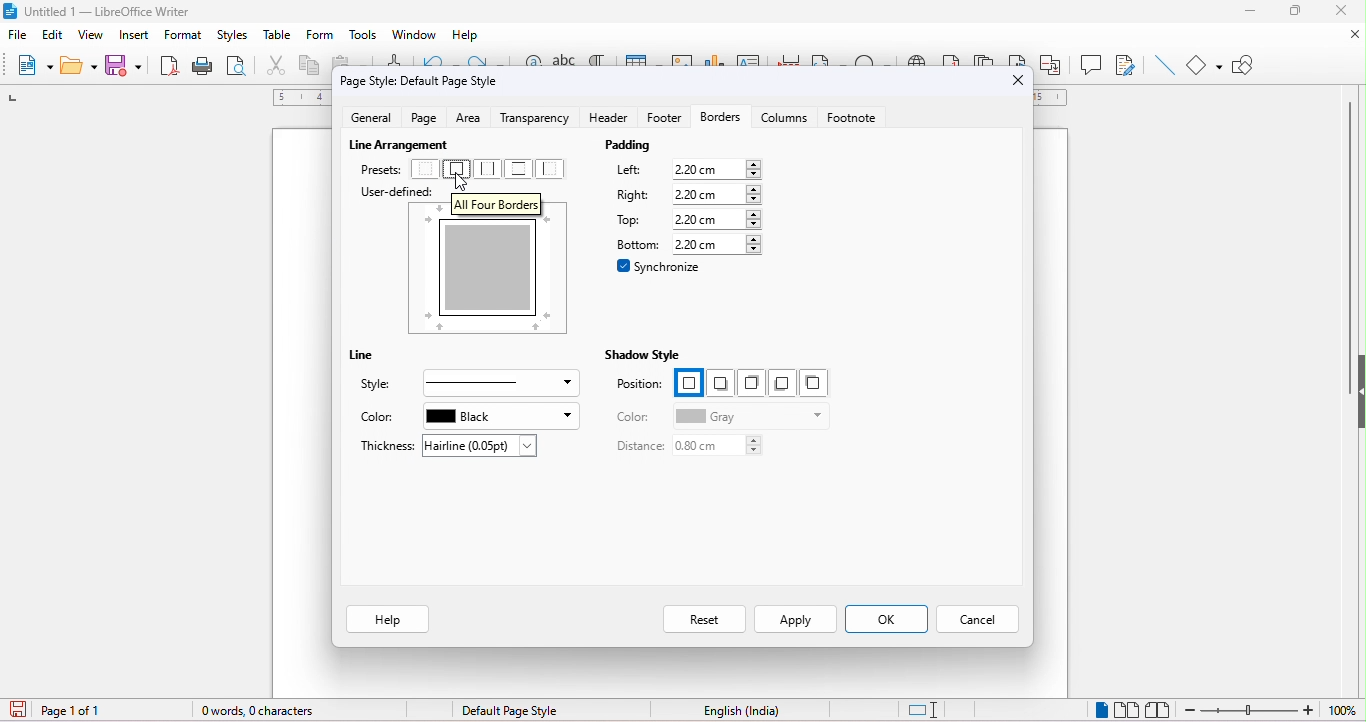  What do you see at coordinates (1251, 64) in the screenshot?
I see `show draw functions` at bounding box center [1251, 64].